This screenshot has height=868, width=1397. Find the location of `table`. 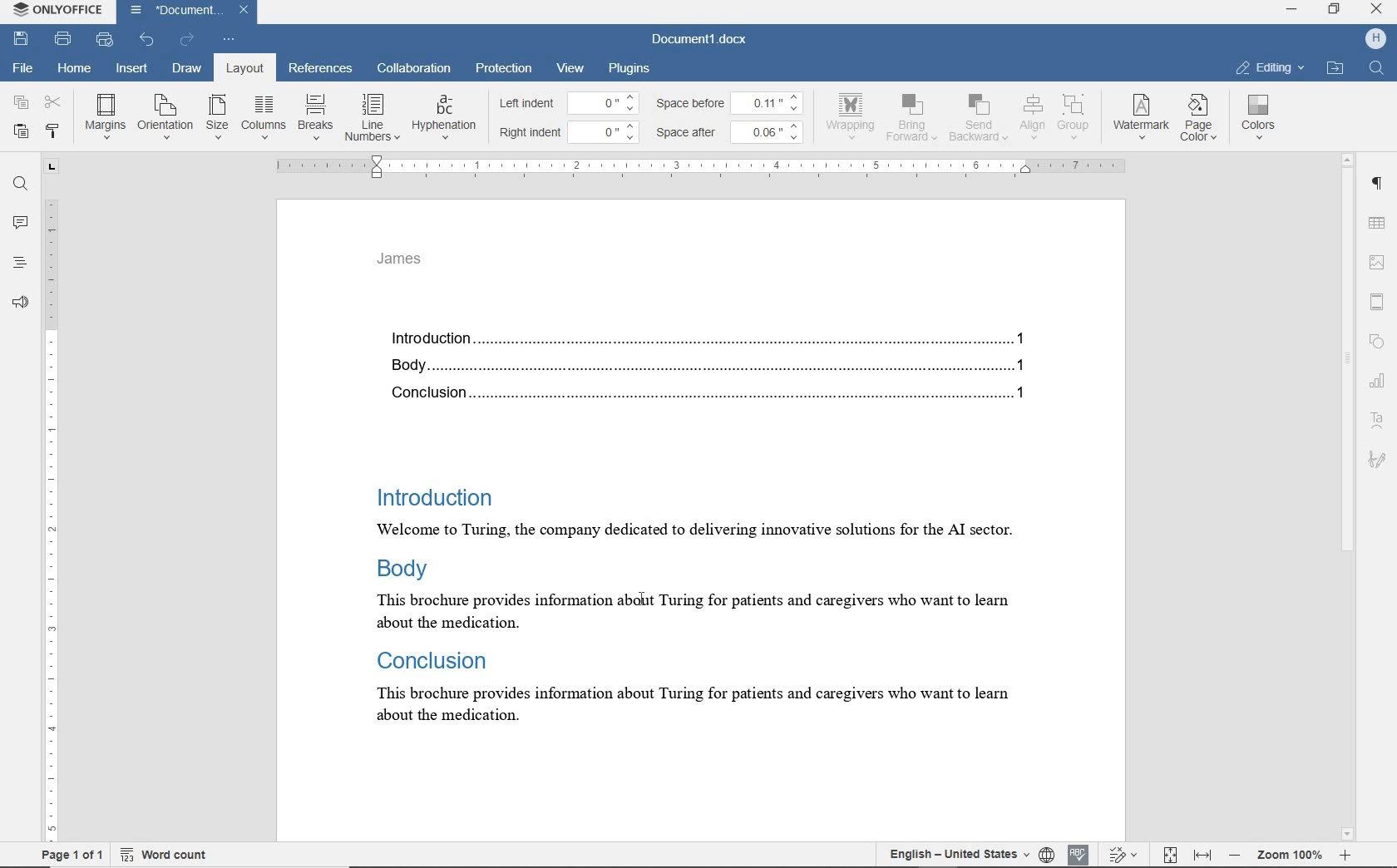

table is located at coordinates (1380, 224).